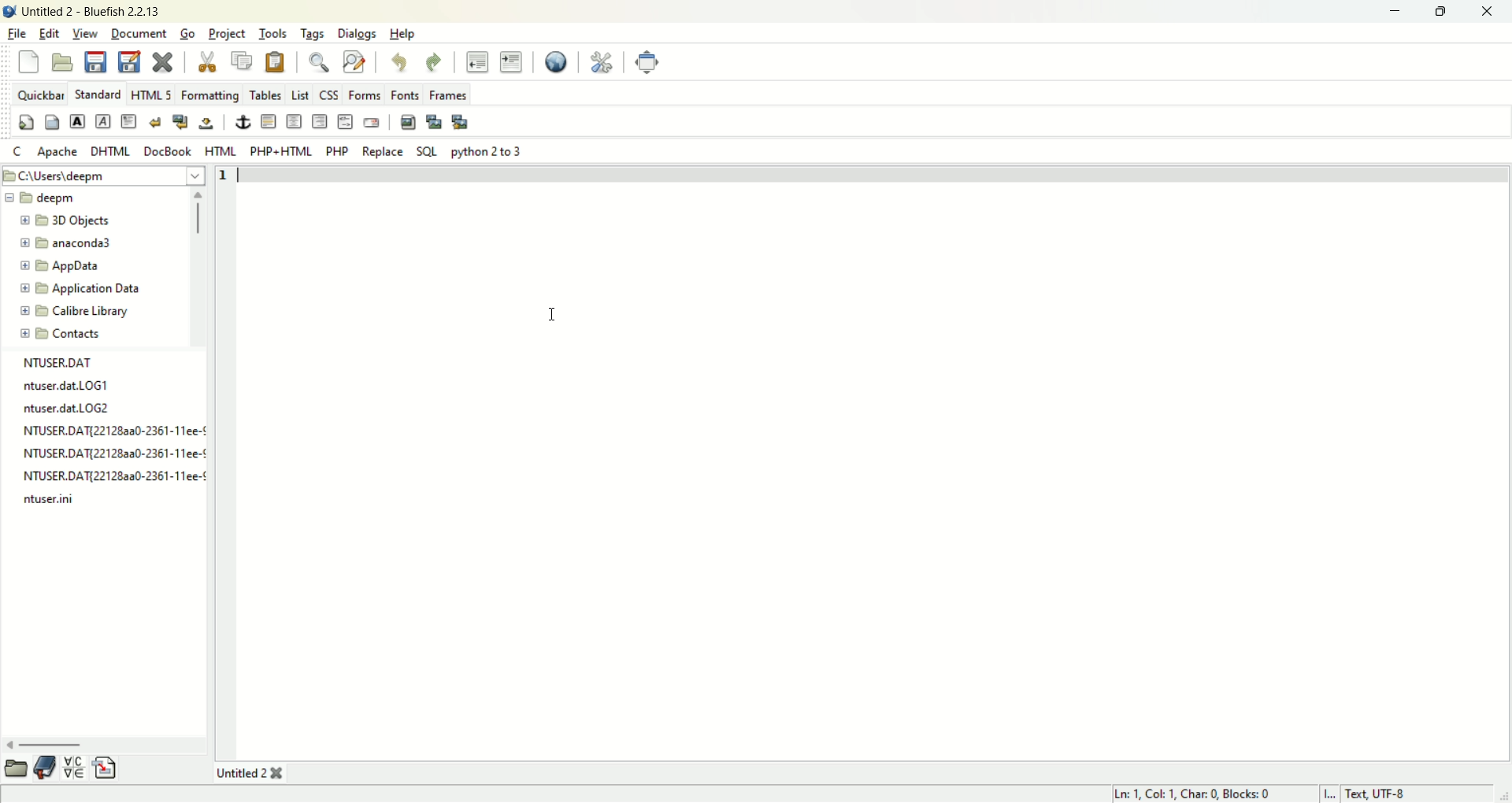 This screenshot has height=803, width=1512. What do you see at coordinates (187, 31) in the screenshot?
I see `go` at bounding box center [187, 31].